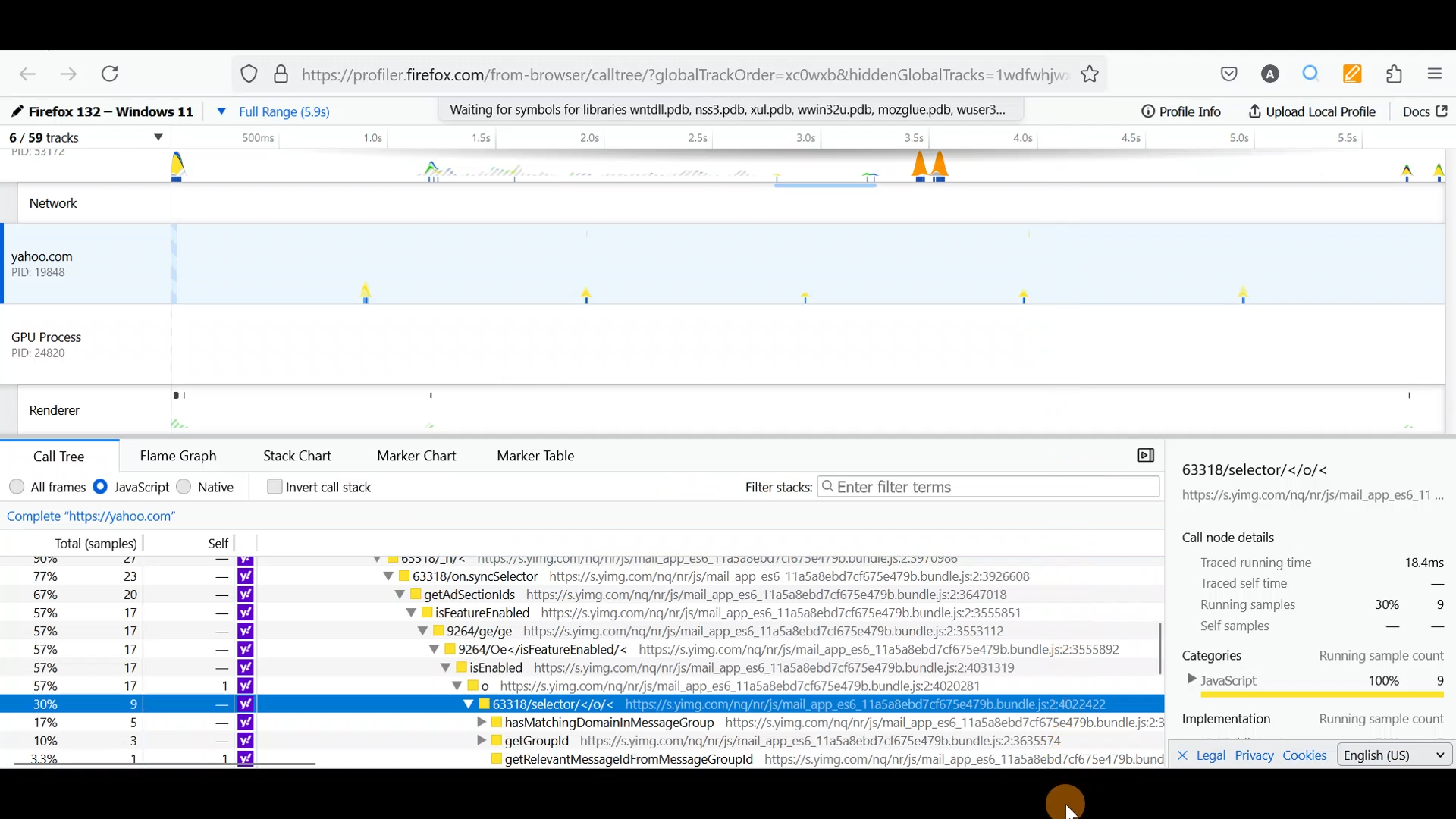  What do you see at coordinates (56, 146) in the screenshot?
I see `` at bounding box center [56, 146].